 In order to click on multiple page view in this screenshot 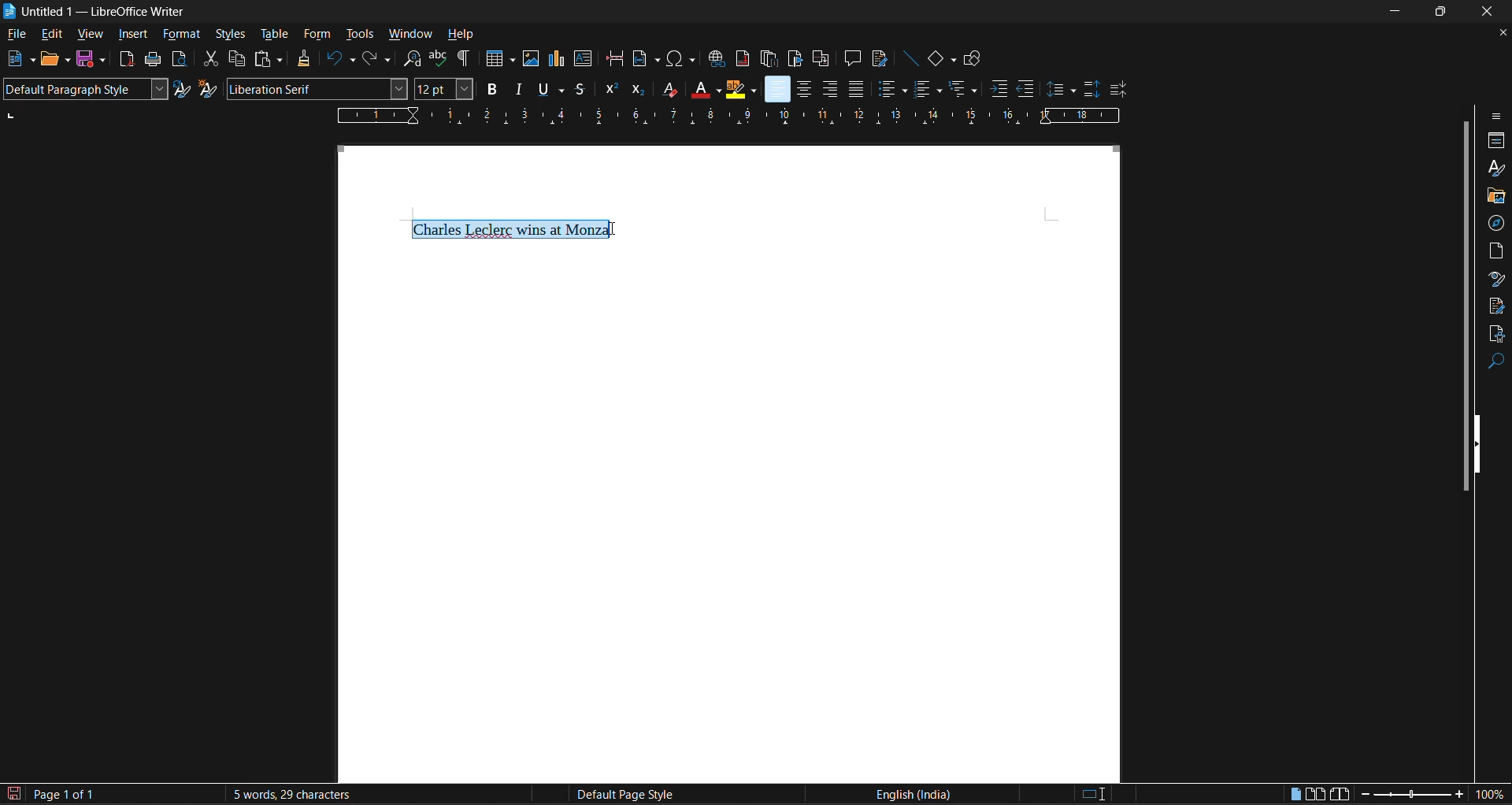, I will do `click(1315, 793)`.